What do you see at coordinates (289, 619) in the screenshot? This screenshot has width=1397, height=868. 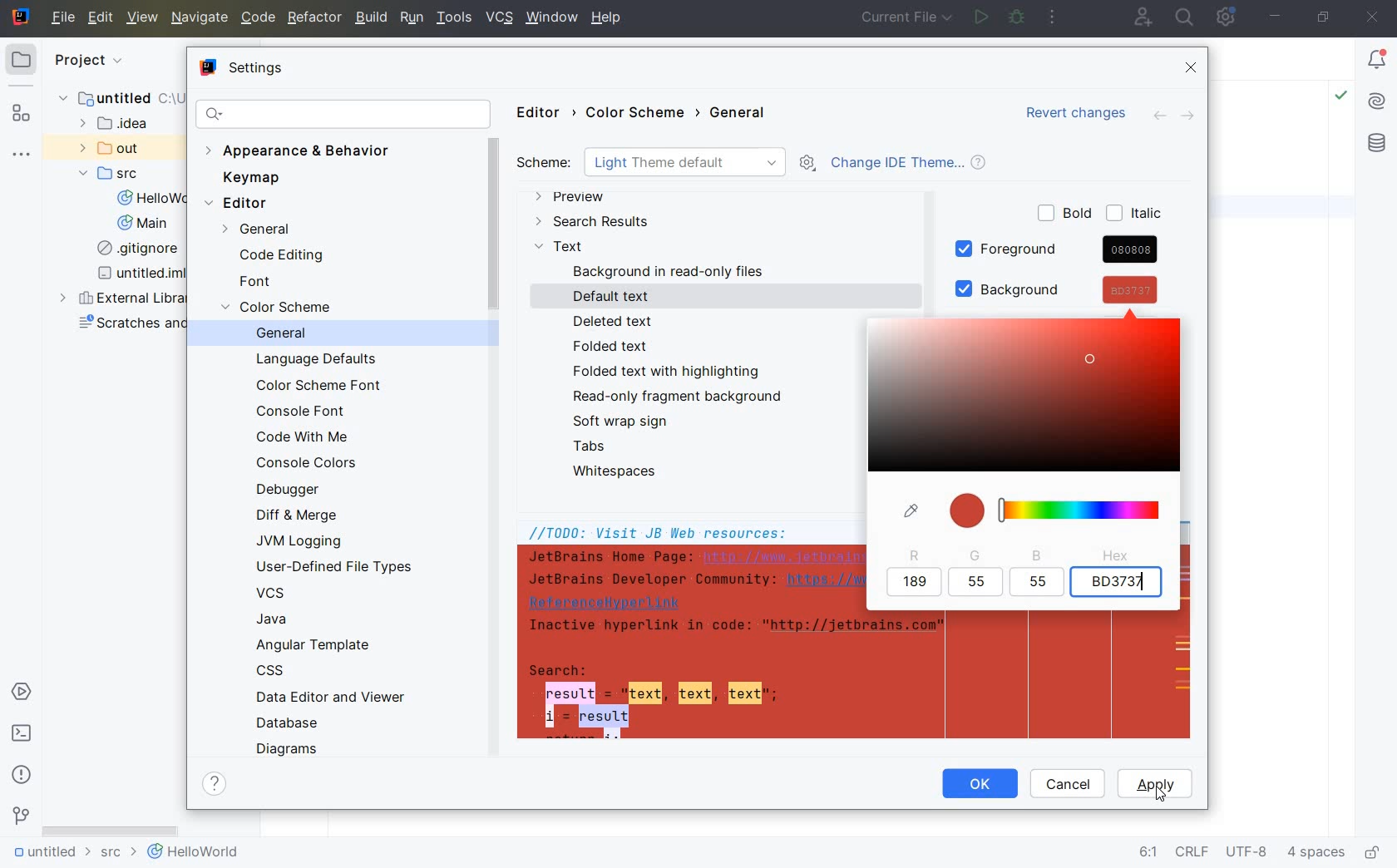 I see `JAVA` at bounding box center [289, 619].